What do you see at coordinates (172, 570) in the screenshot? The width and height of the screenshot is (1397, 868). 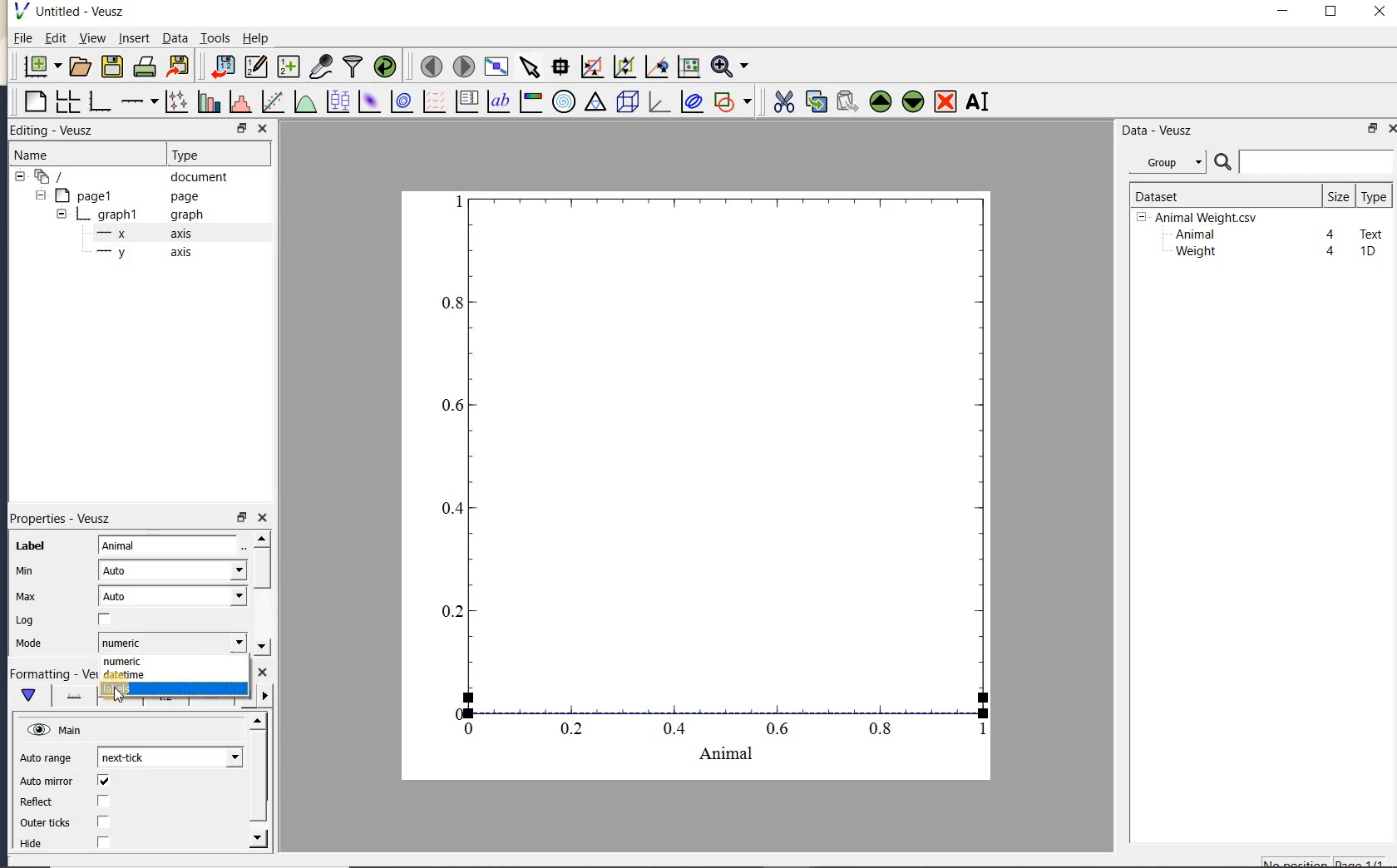 I see `Auto` at bounding box center [172, 570].